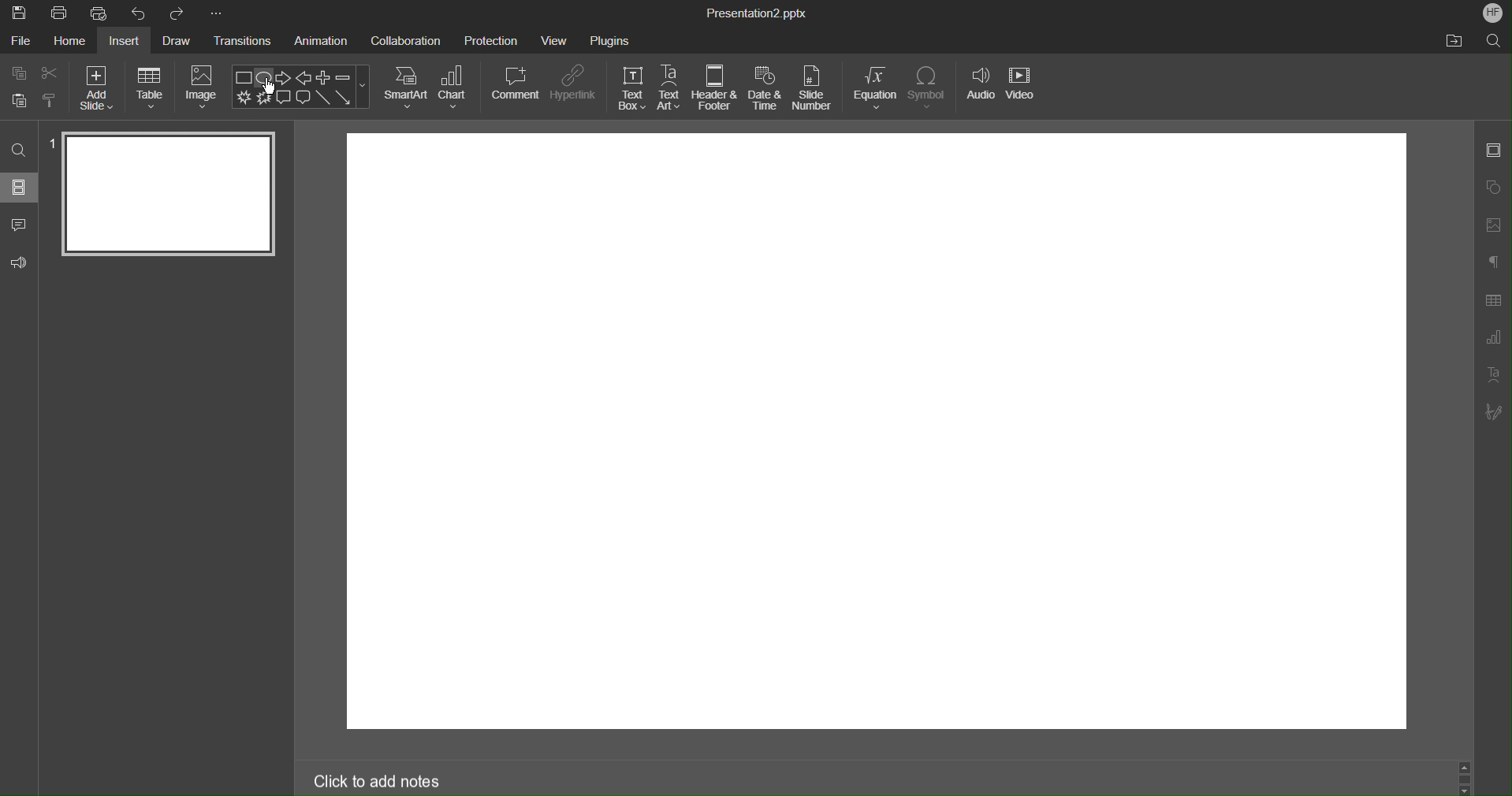 This screenshot has height=796, width=1512. What do you see at coordinates (128, 42) in the screenshot?
I see `Insert` at bounding box center [128, 42].